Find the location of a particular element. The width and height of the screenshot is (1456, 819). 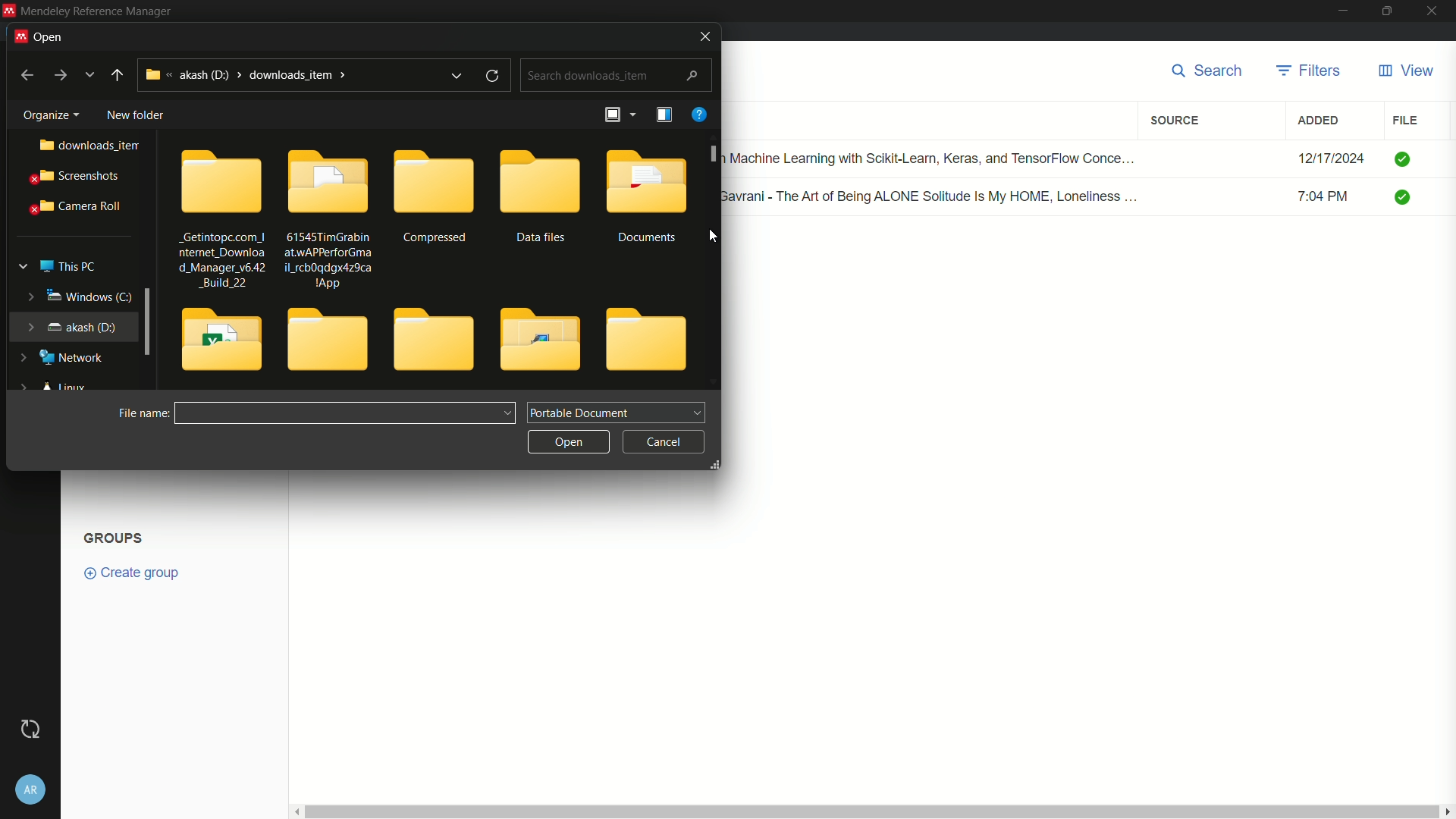

maximize is located at coordinates (1389, 11).